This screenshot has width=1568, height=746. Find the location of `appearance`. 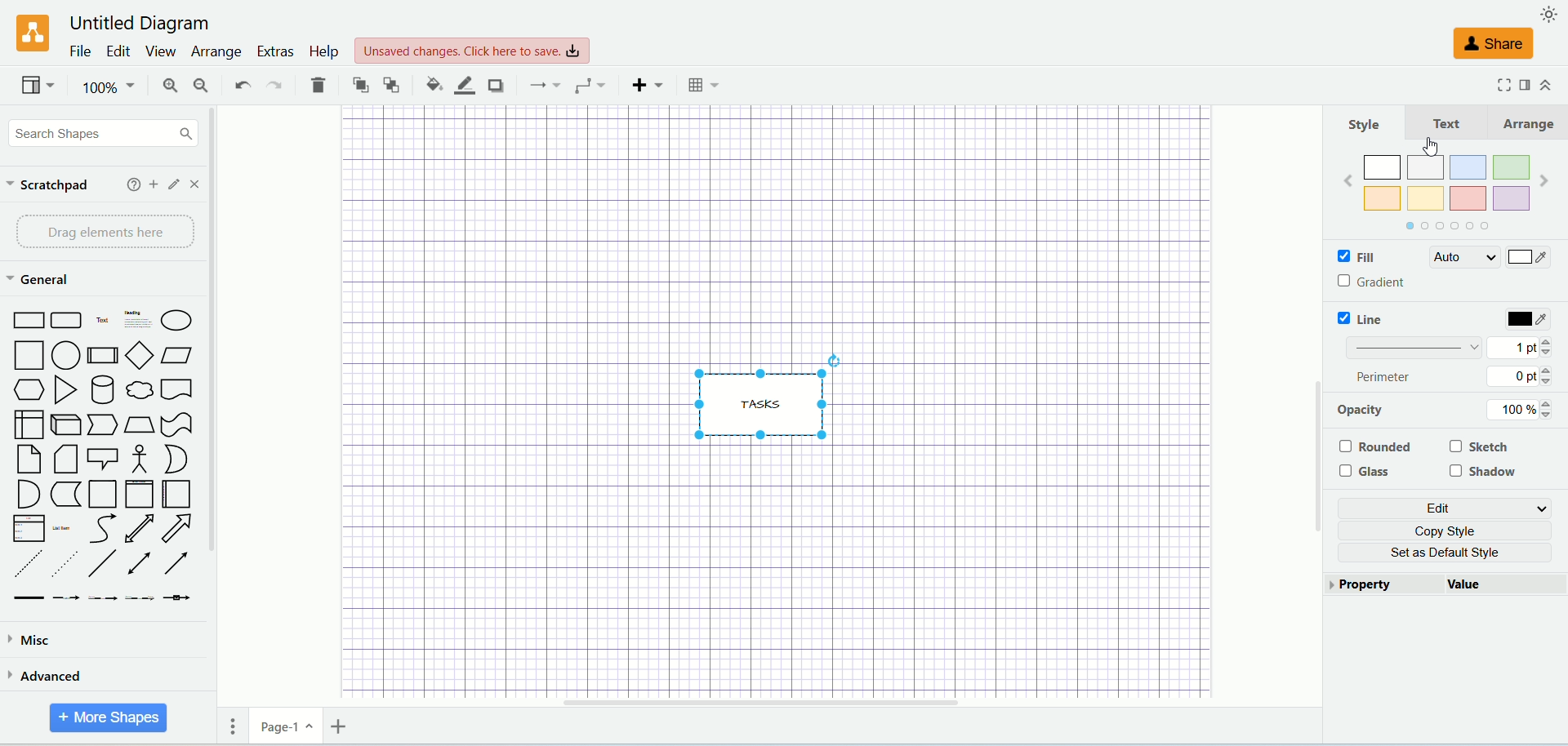

appearance is located at coordinates (1550, 13).